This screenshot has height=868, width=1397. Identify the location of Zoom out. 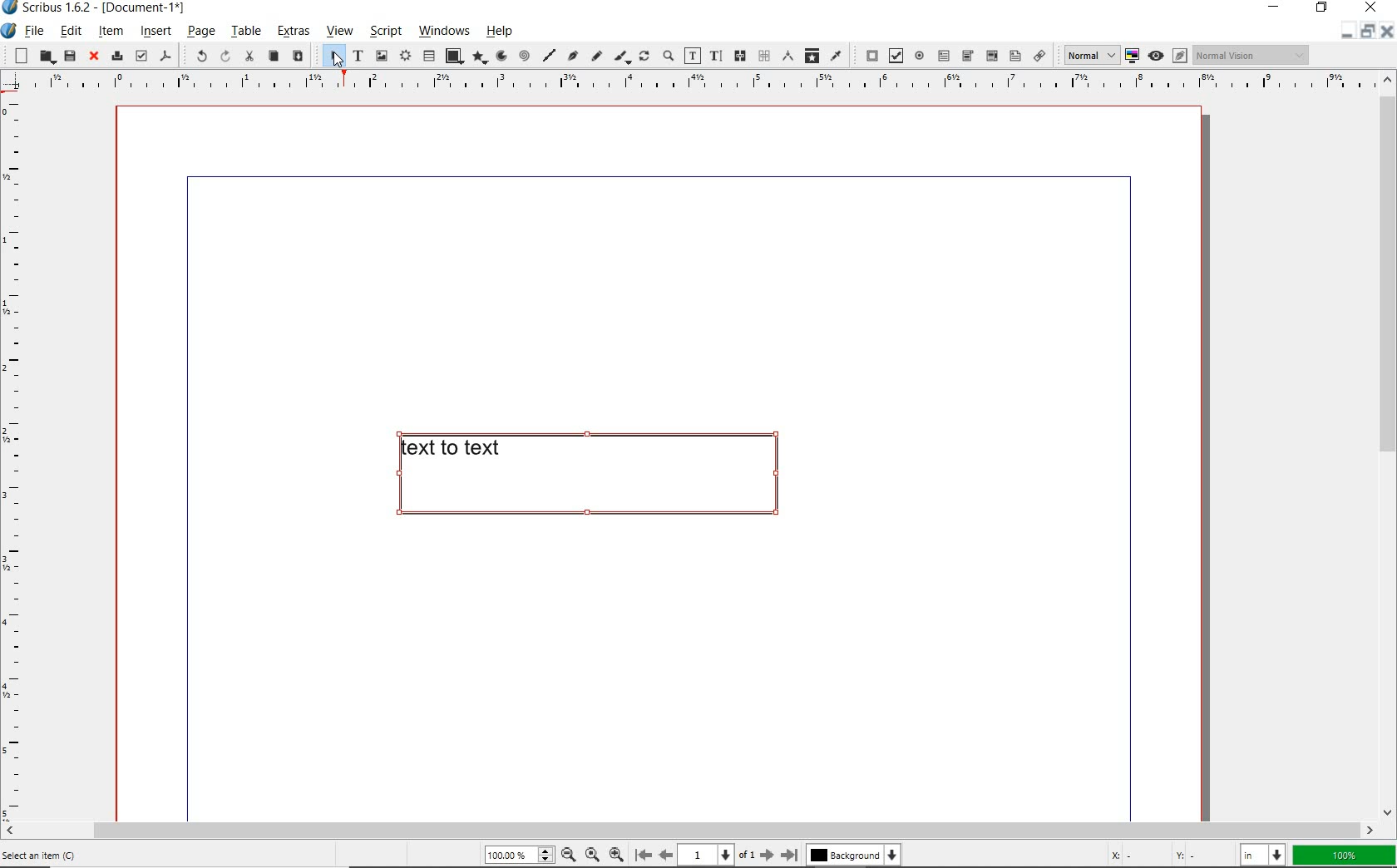
(565, 855).